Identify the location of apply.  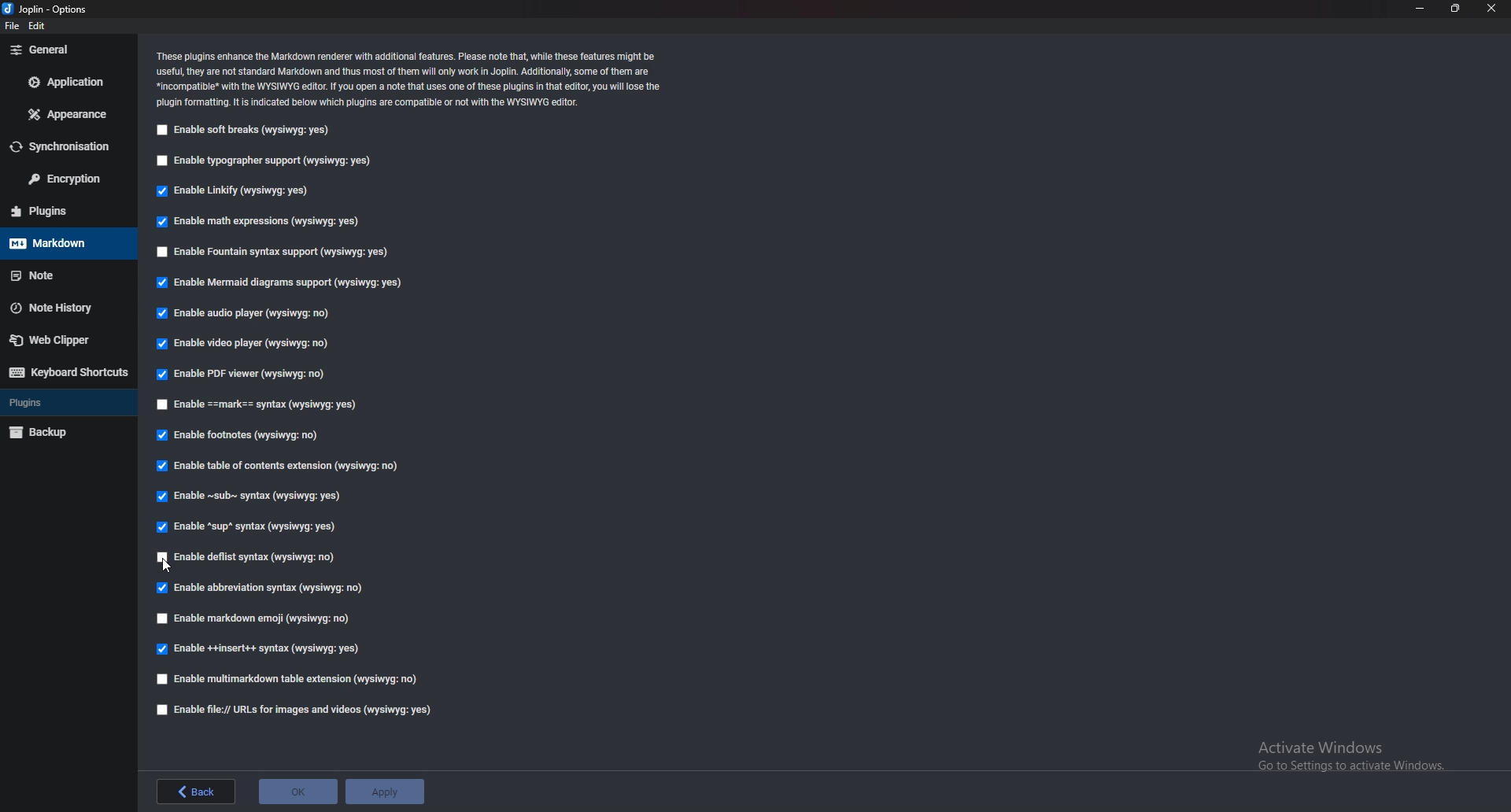
(384, 791).